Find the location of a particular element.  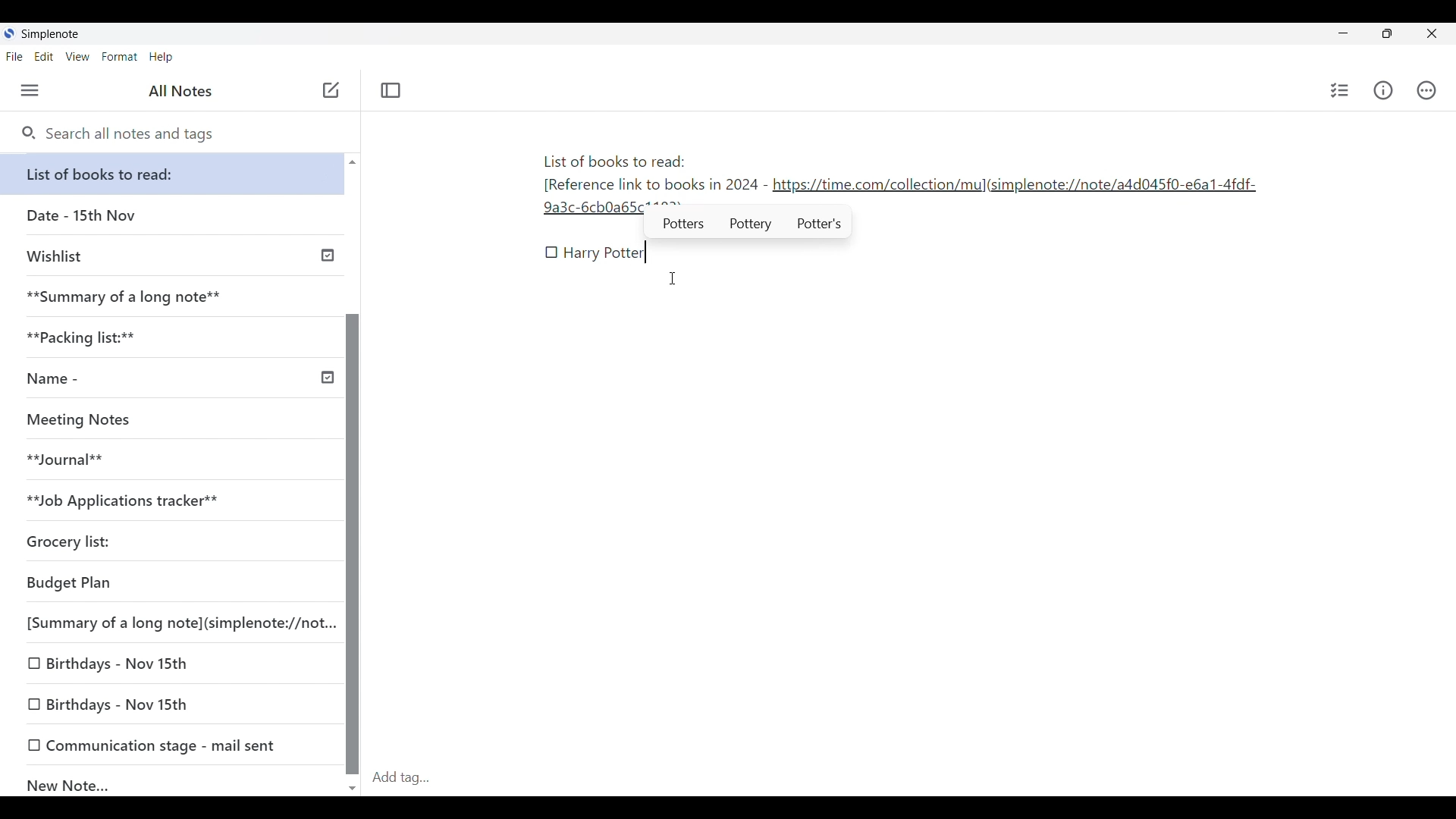

Insert checklist is located at coordinates (1340, 90).